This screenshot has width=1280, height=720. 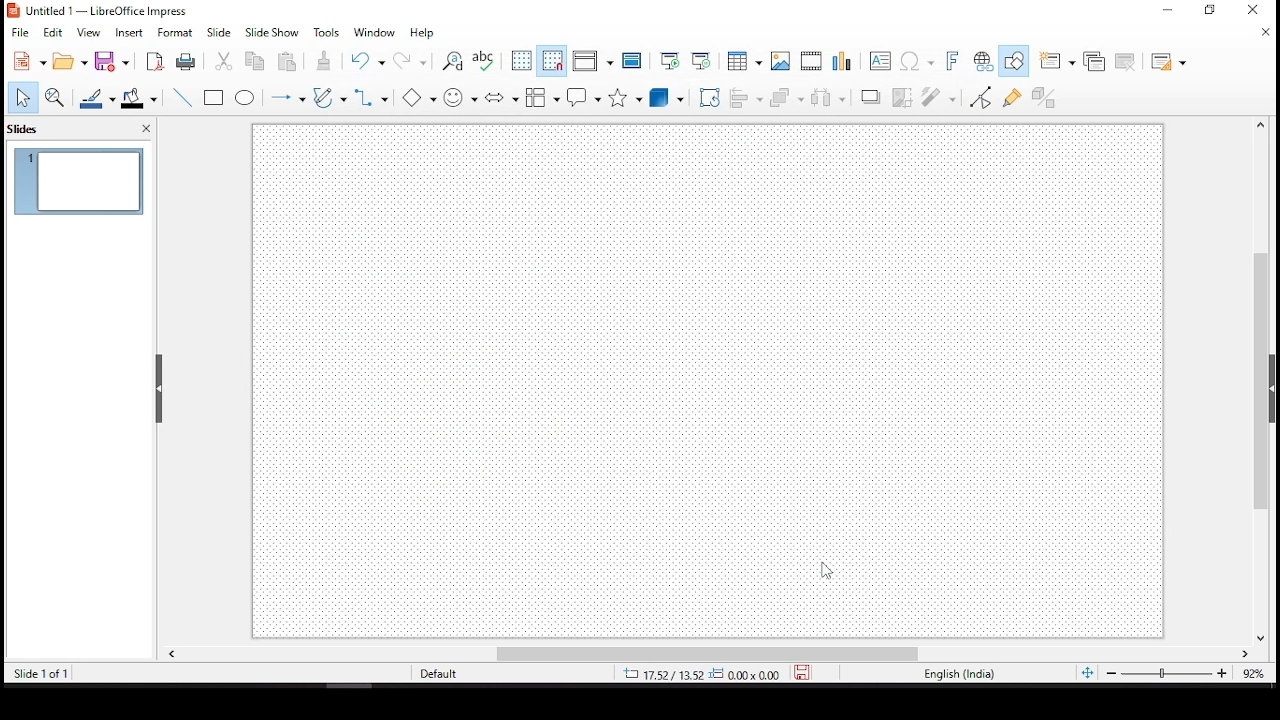 What do you see at coordinates (671, 59) in the screenshot?
I see `start from first slide` at bounding box center [671, 59].